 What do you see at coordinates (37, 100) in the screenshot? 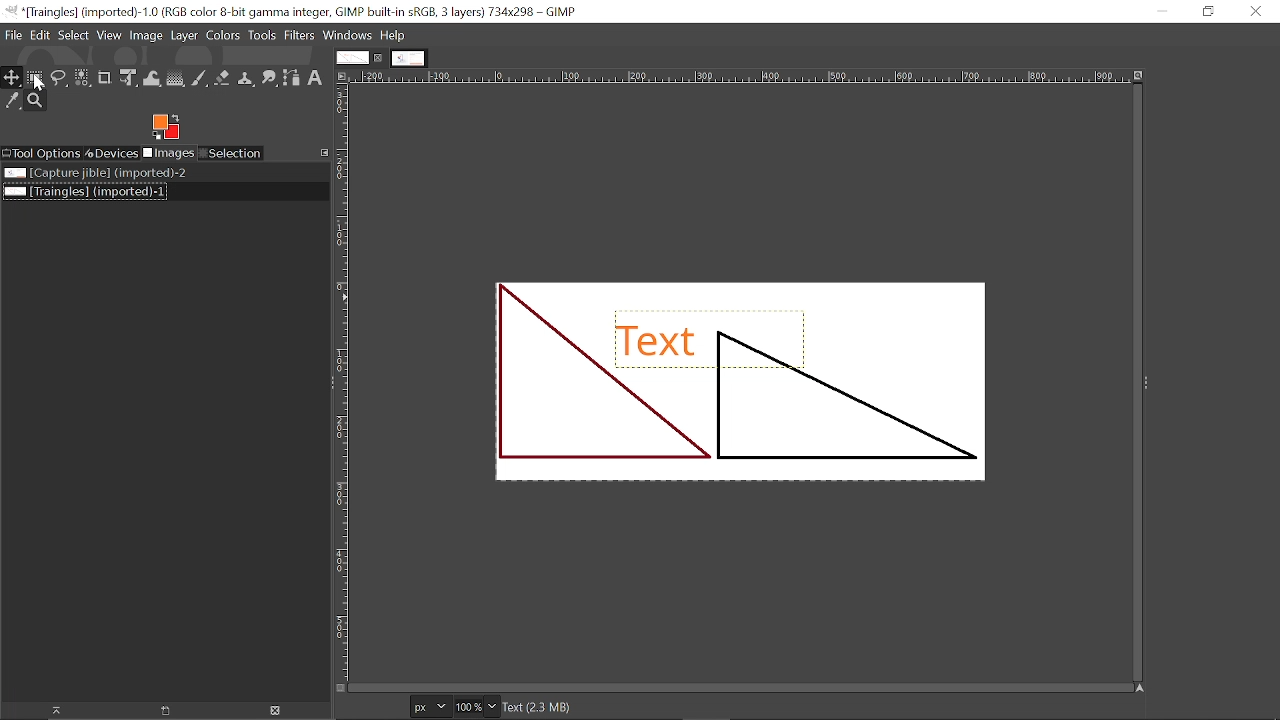
I see `Zoom tool` at bounding box center [37, 100].